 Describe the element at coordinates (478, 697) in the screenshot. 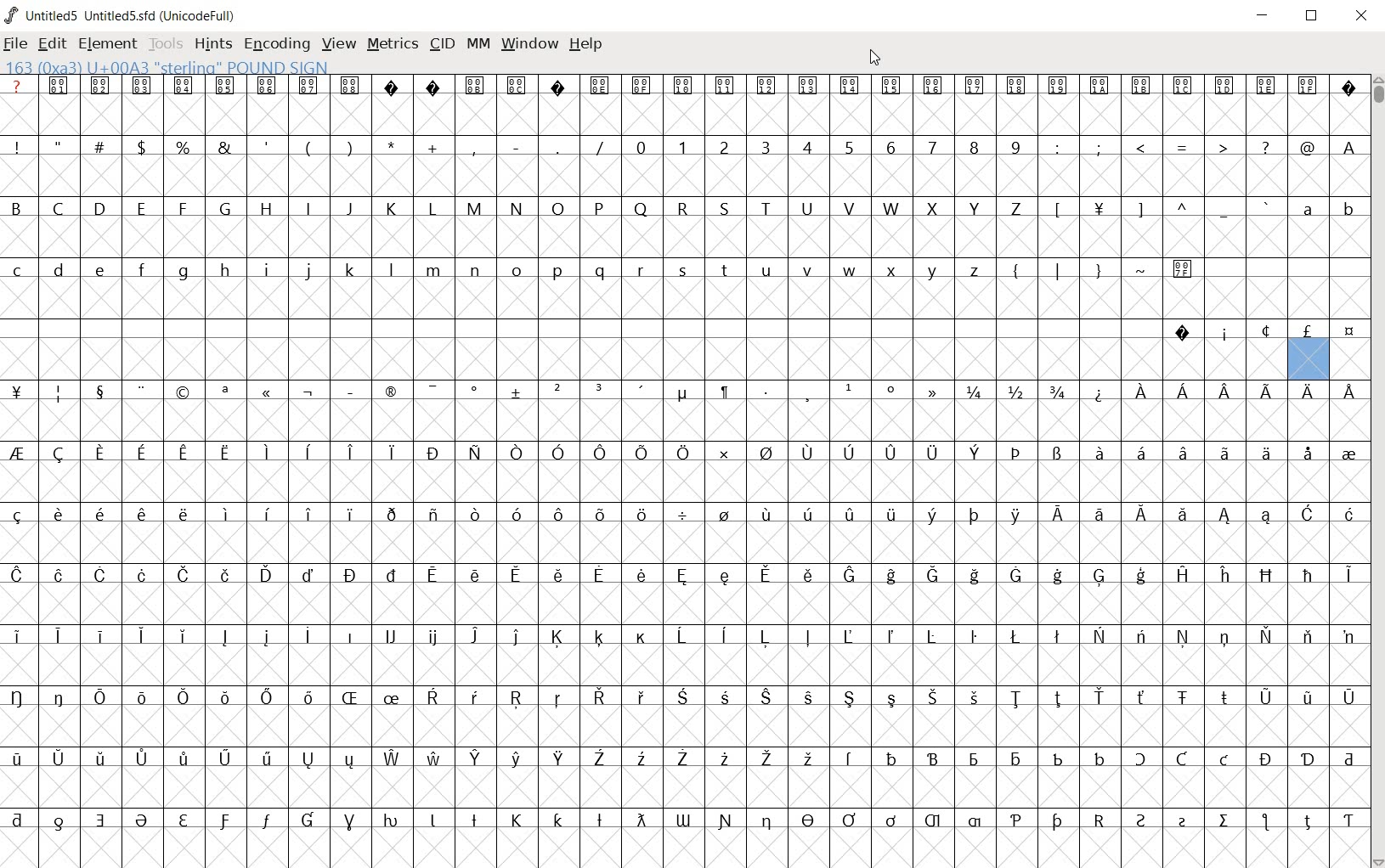

I see `Symbol` at that location.